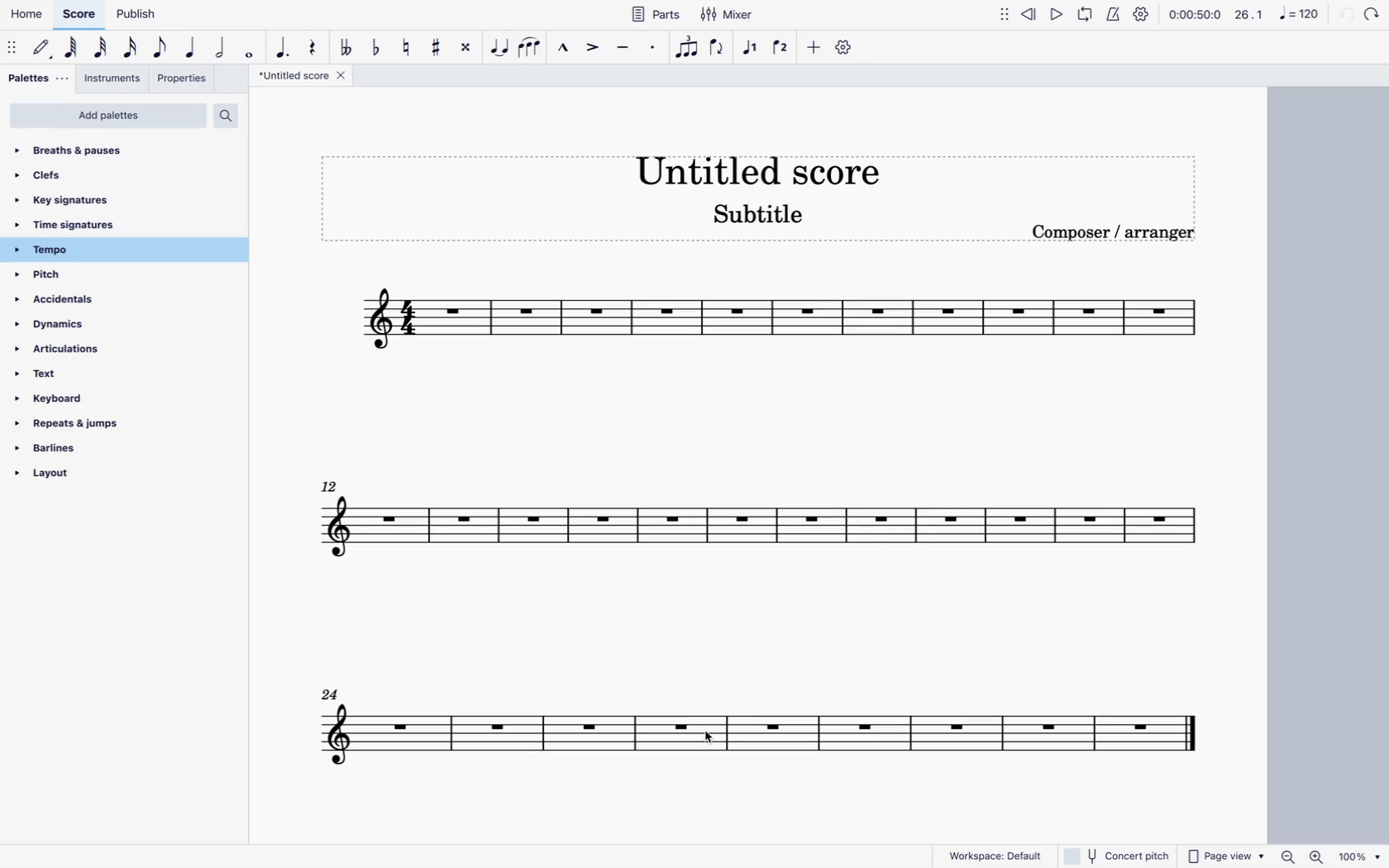 The image size is (1389, 868). I want to click on workspace, so click(996, 855).